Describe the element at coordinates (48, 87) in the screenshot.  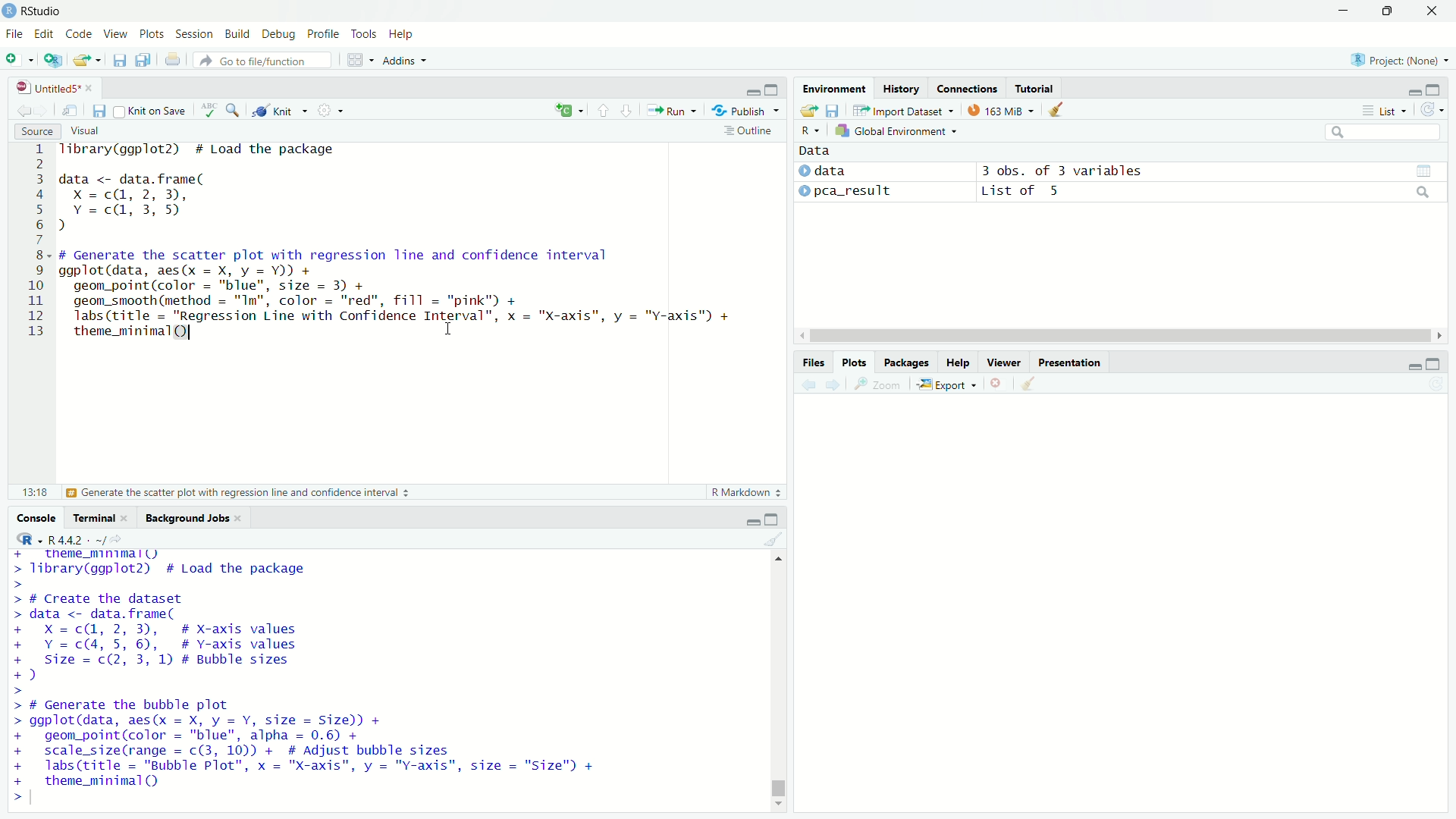
I see `Untitled5*` at that location.